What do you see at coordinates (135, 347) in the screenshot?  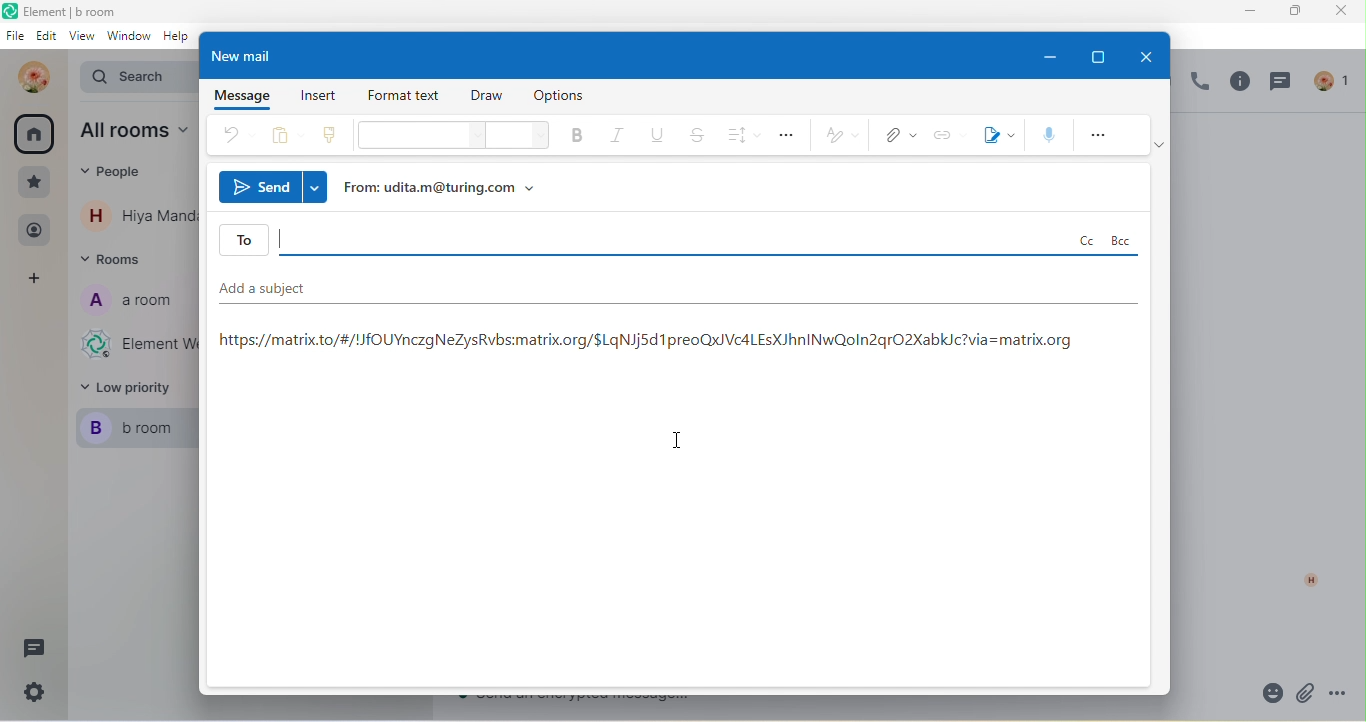 I see `Element web/desktop` at bounding box center [135, 347].